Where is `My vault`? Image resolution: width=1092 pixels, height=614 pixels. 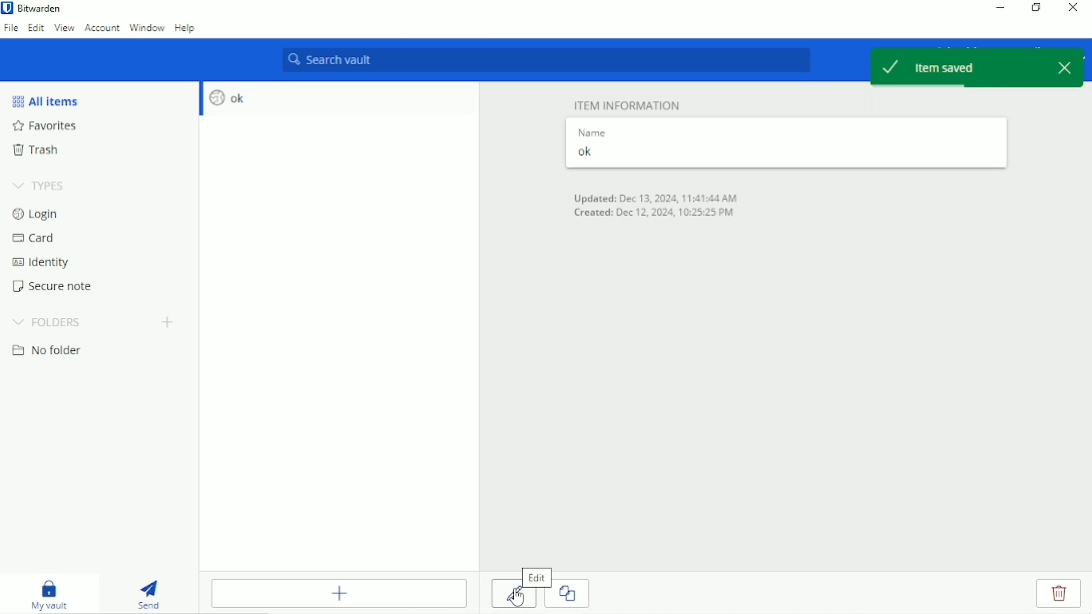
My vault is located at coordinates (53, 594).